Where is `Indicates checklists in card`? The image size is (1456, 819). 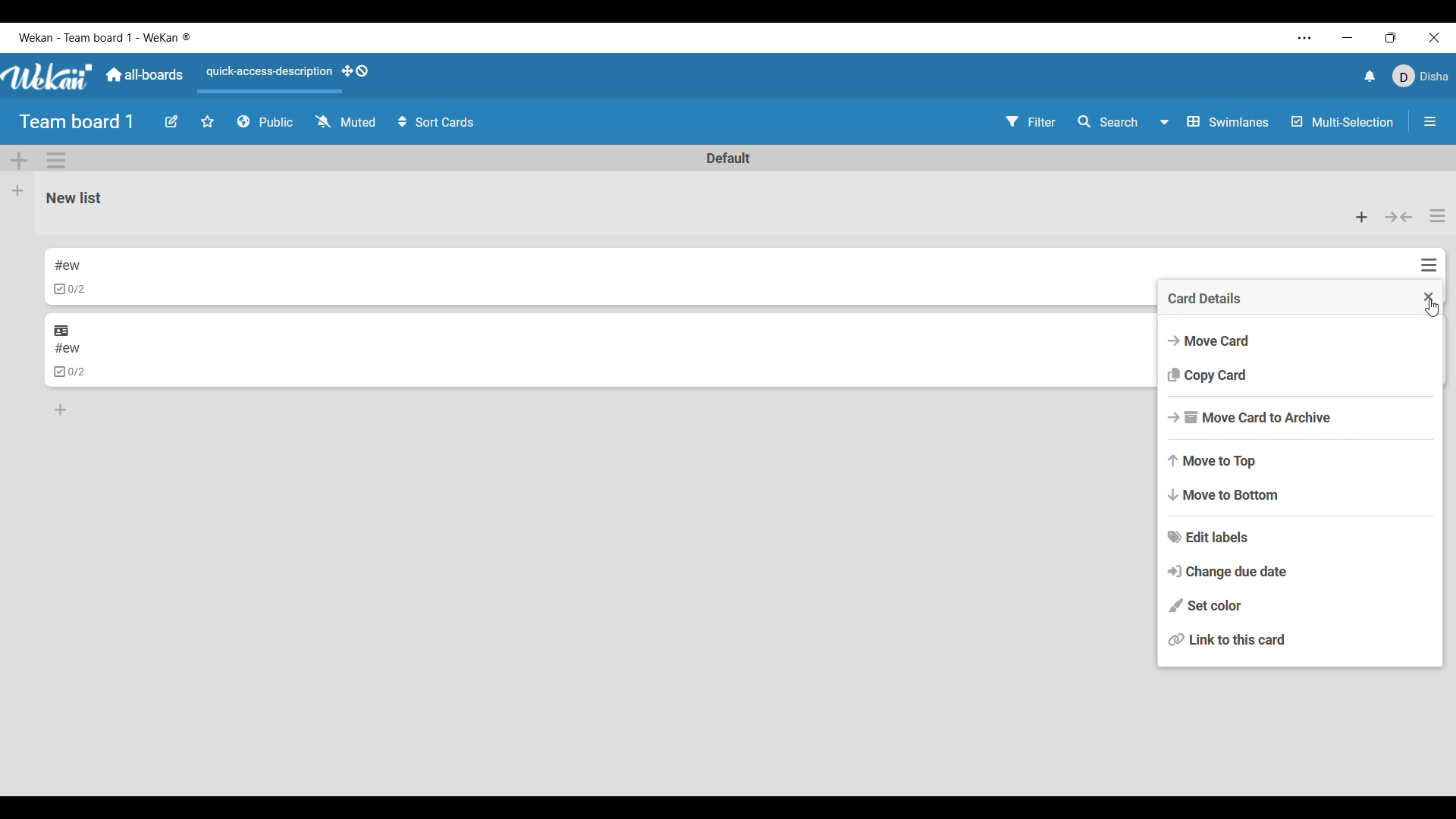
Indicates checklists in card is located at coordinates (70, 289).